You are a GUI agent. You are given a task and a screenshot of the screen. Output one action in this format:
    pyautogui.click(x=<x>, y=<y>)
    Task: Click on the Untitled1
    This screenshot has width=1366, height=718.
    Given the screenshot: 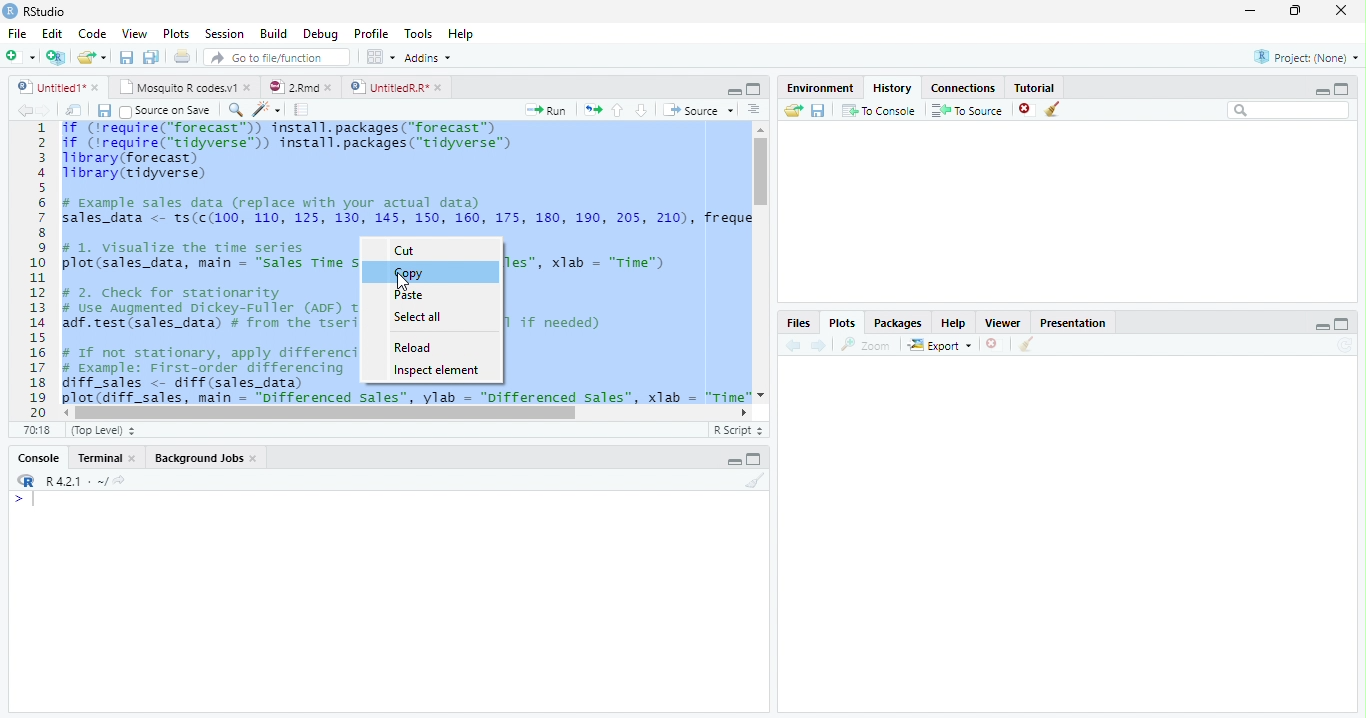 What is the action you would take?
    pyautogui.click(x=58, y=87)
    